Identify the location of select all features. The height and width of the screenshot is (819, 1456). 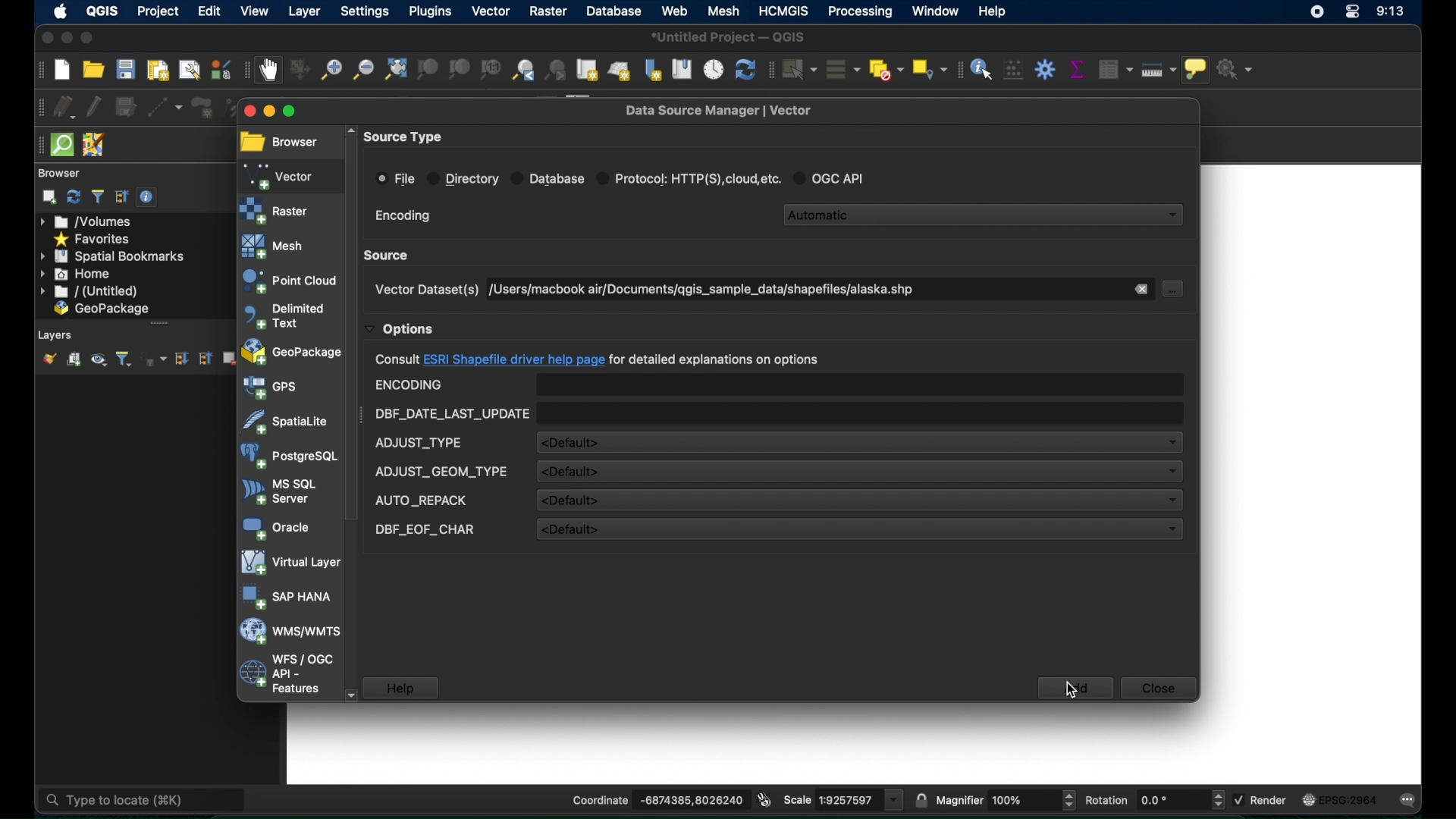
(844, 69).